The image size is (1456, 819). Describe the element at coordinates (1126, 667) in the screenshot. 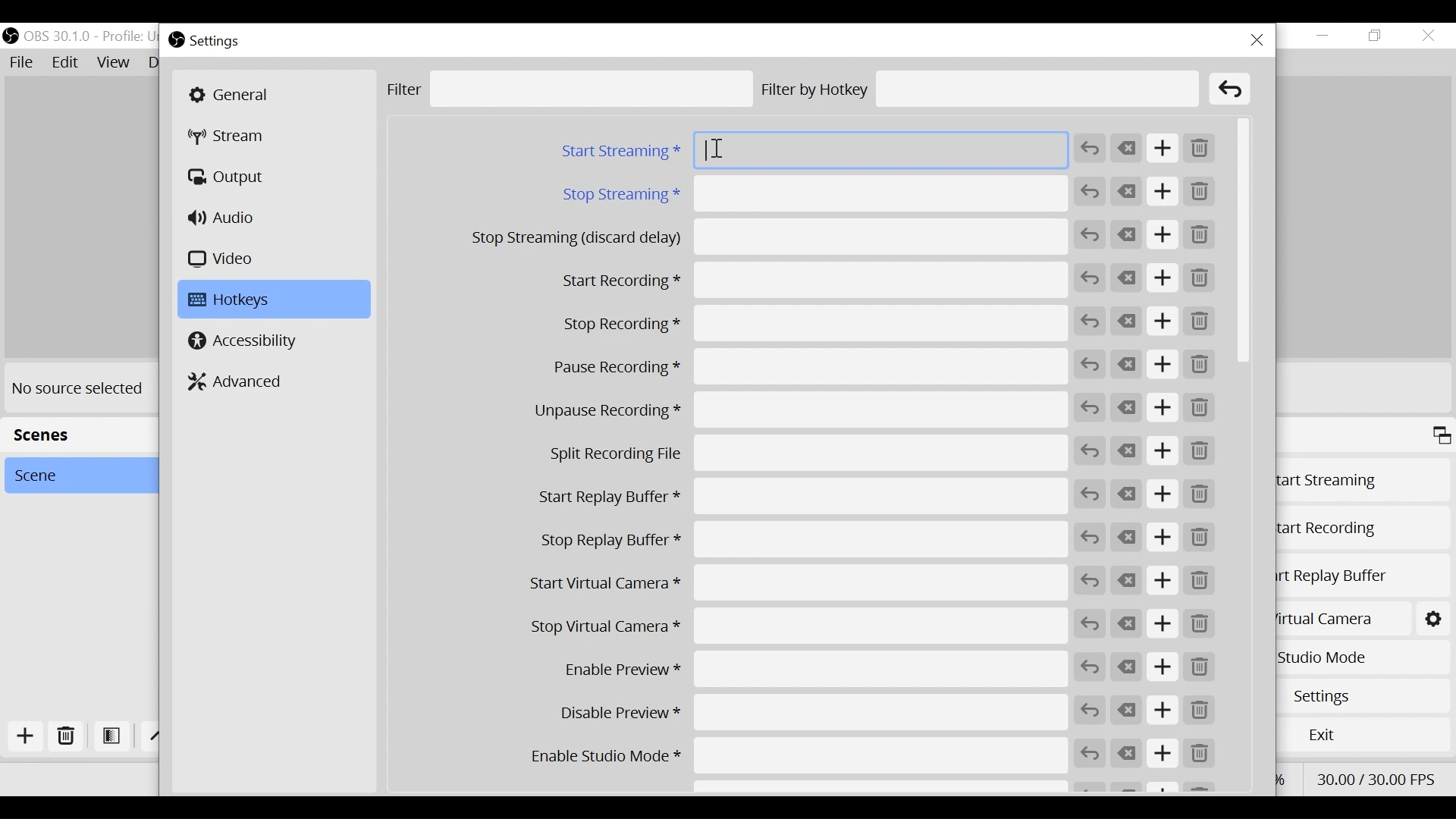

I see `Clear` at that location.